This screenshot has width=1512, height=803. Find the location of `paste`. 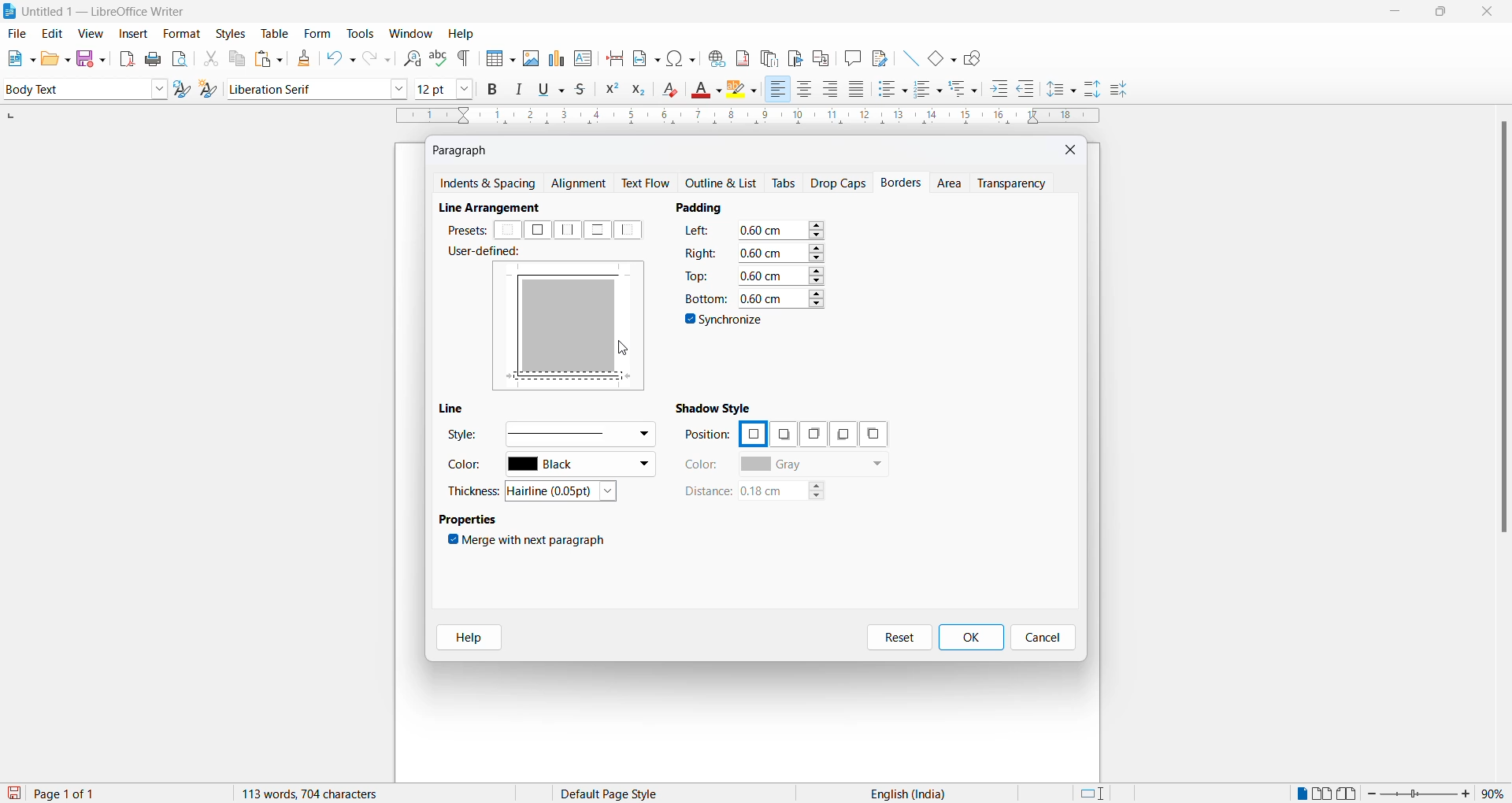

paste is located at coordinates (266, 60).